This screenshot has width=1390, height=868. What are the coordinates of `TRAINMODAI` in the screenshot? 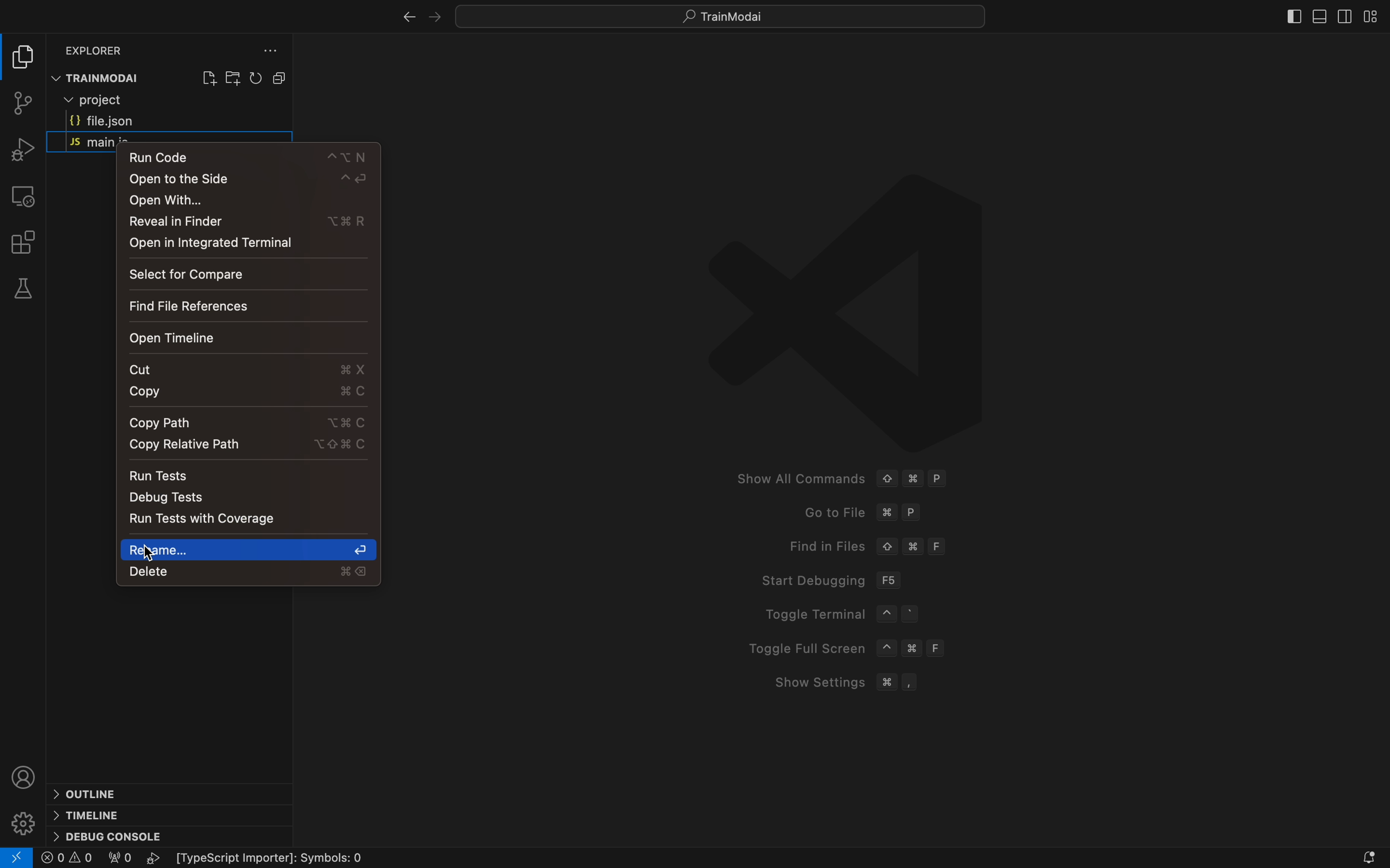 It's located at (110, 80).